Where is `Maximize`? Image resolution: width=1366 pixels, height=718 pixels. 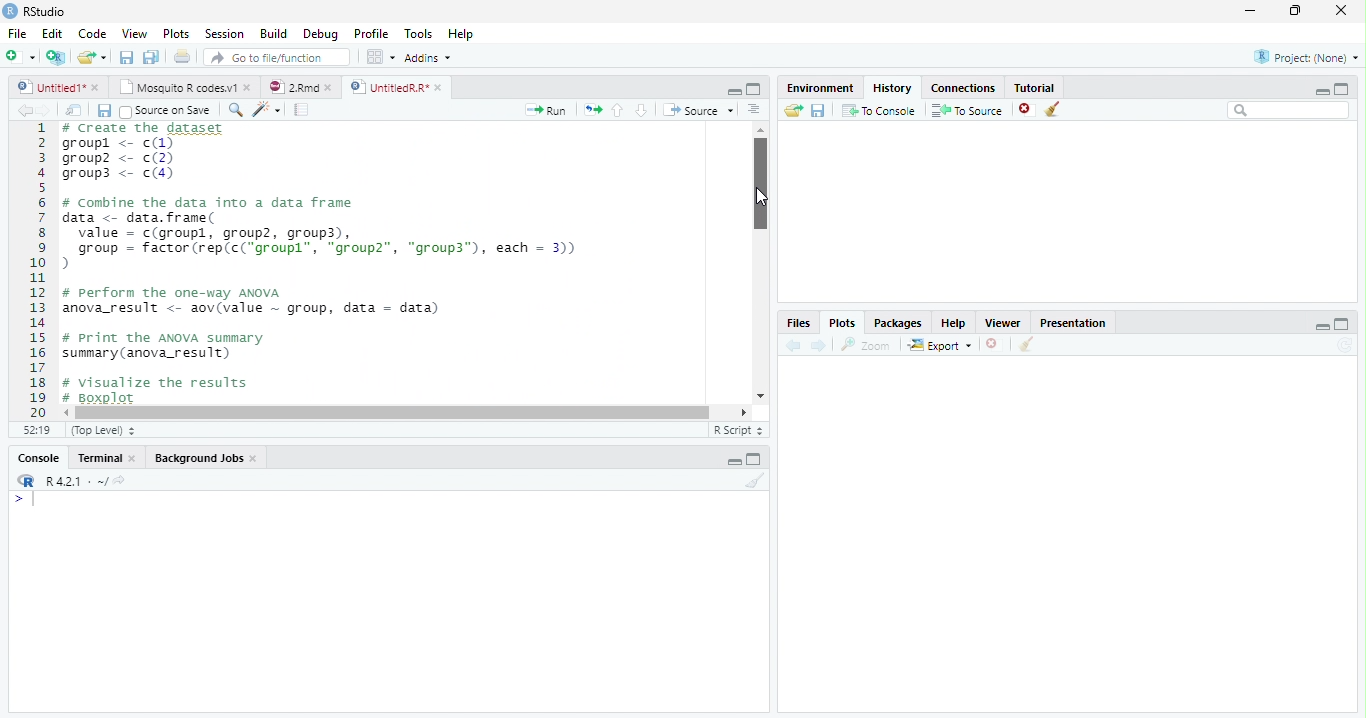
Maximize is located at coordinates (1342, 325).